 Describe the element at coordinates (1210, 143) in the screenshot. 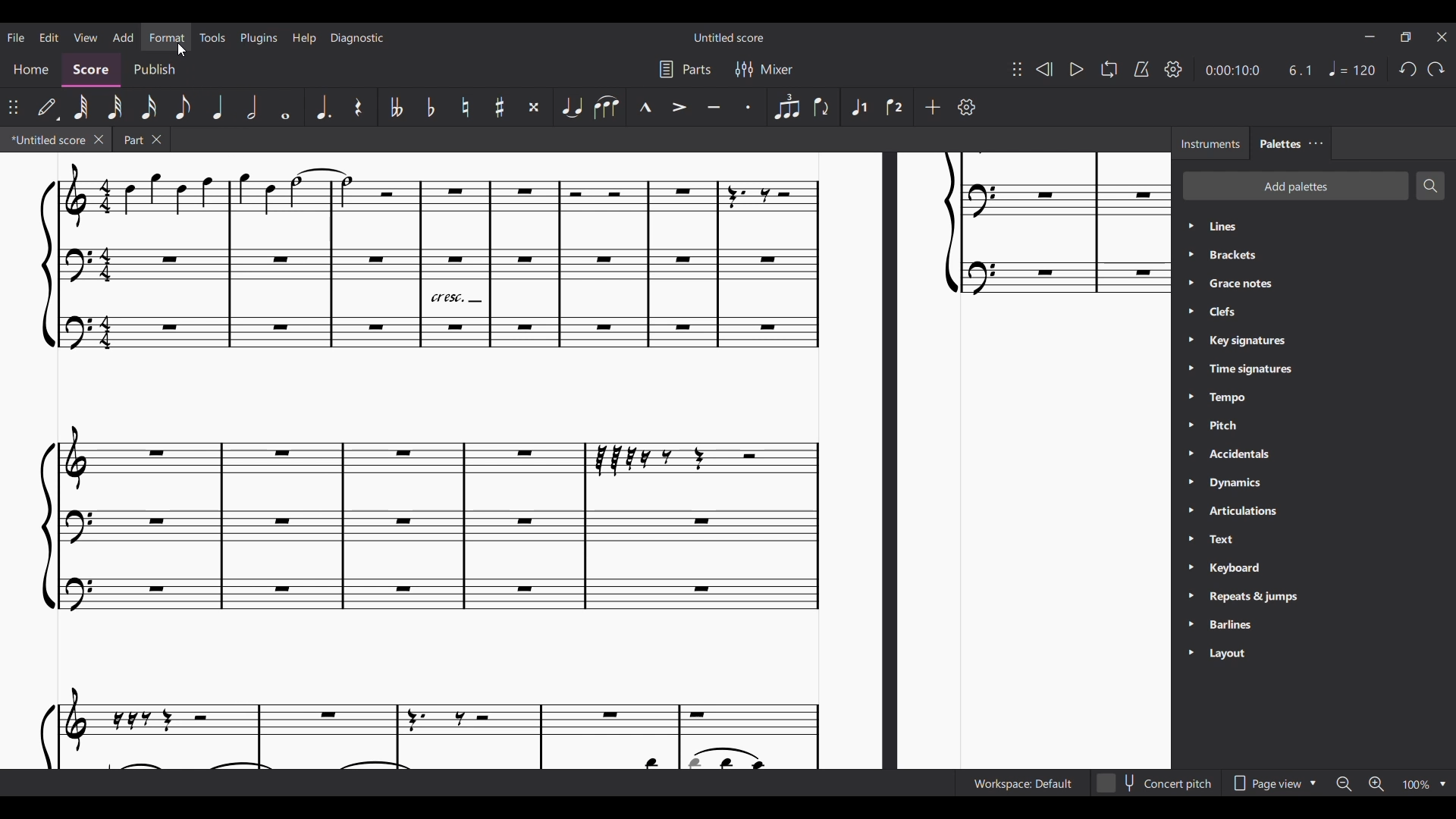

I see `Instruments tab` at that location.